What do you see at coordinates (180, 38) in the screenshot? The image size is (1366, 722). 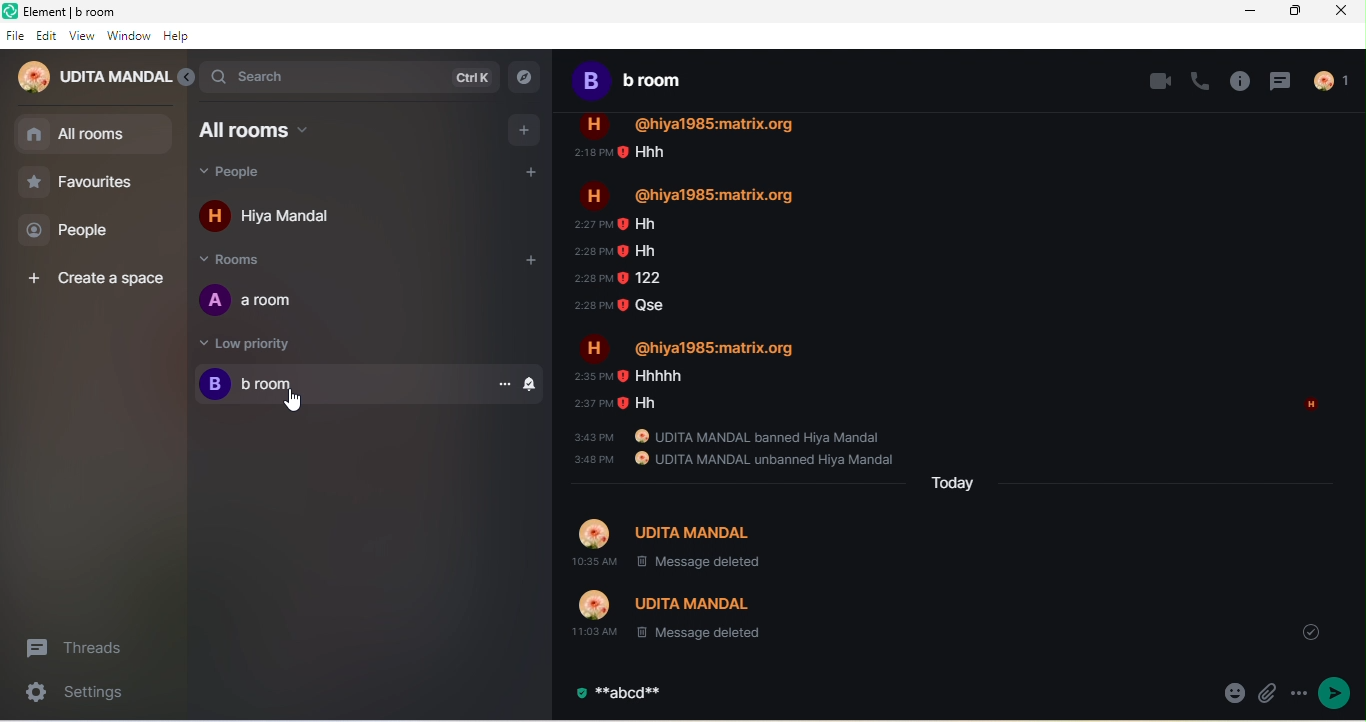 I see `help` at bounding box center [180, 38].